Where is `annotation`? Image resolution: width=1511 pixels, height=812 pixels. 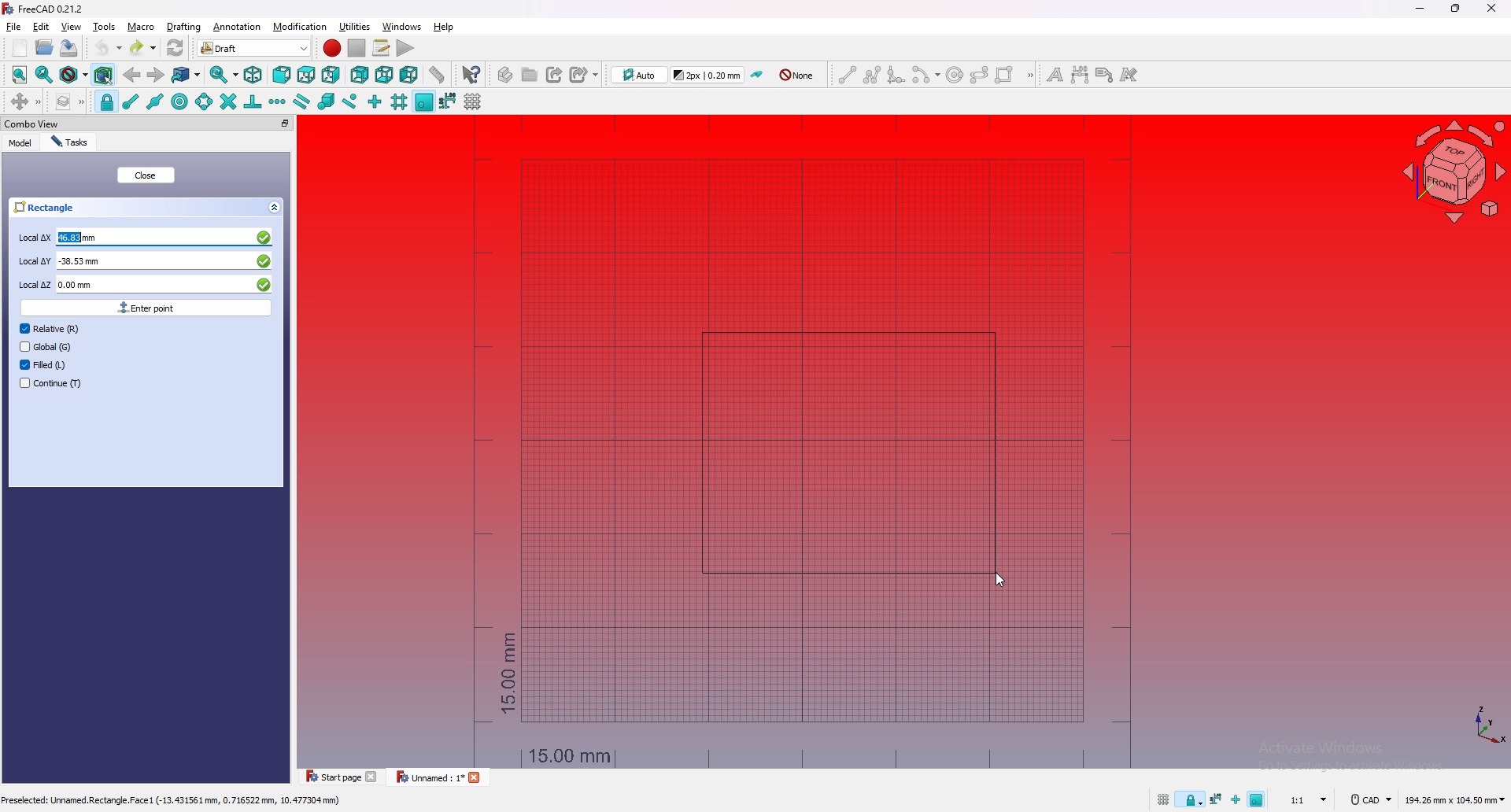
annotation is located at coordinates (238, 27).